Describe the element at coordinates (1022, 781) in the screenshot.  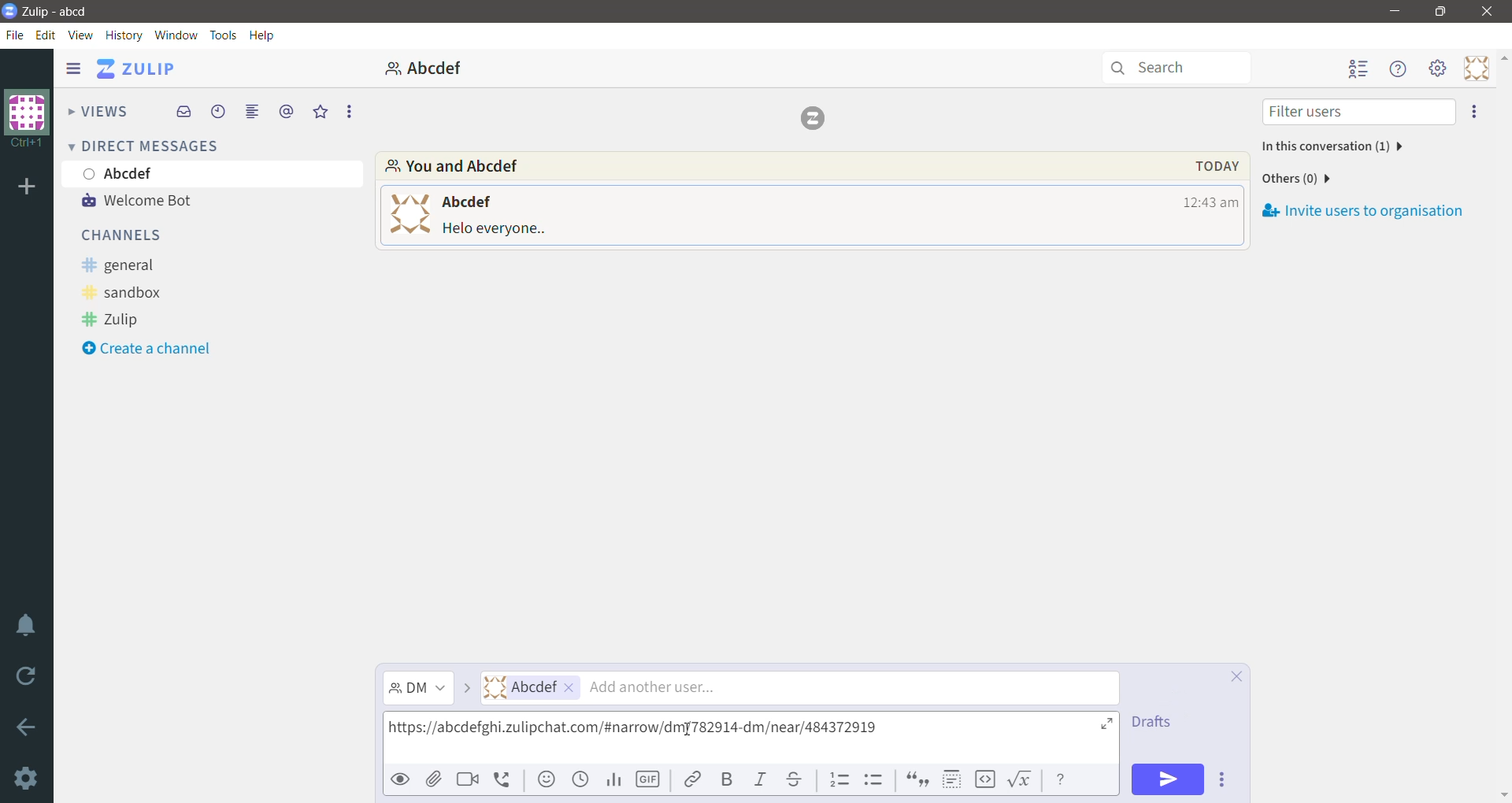
I see `Math` at that location.